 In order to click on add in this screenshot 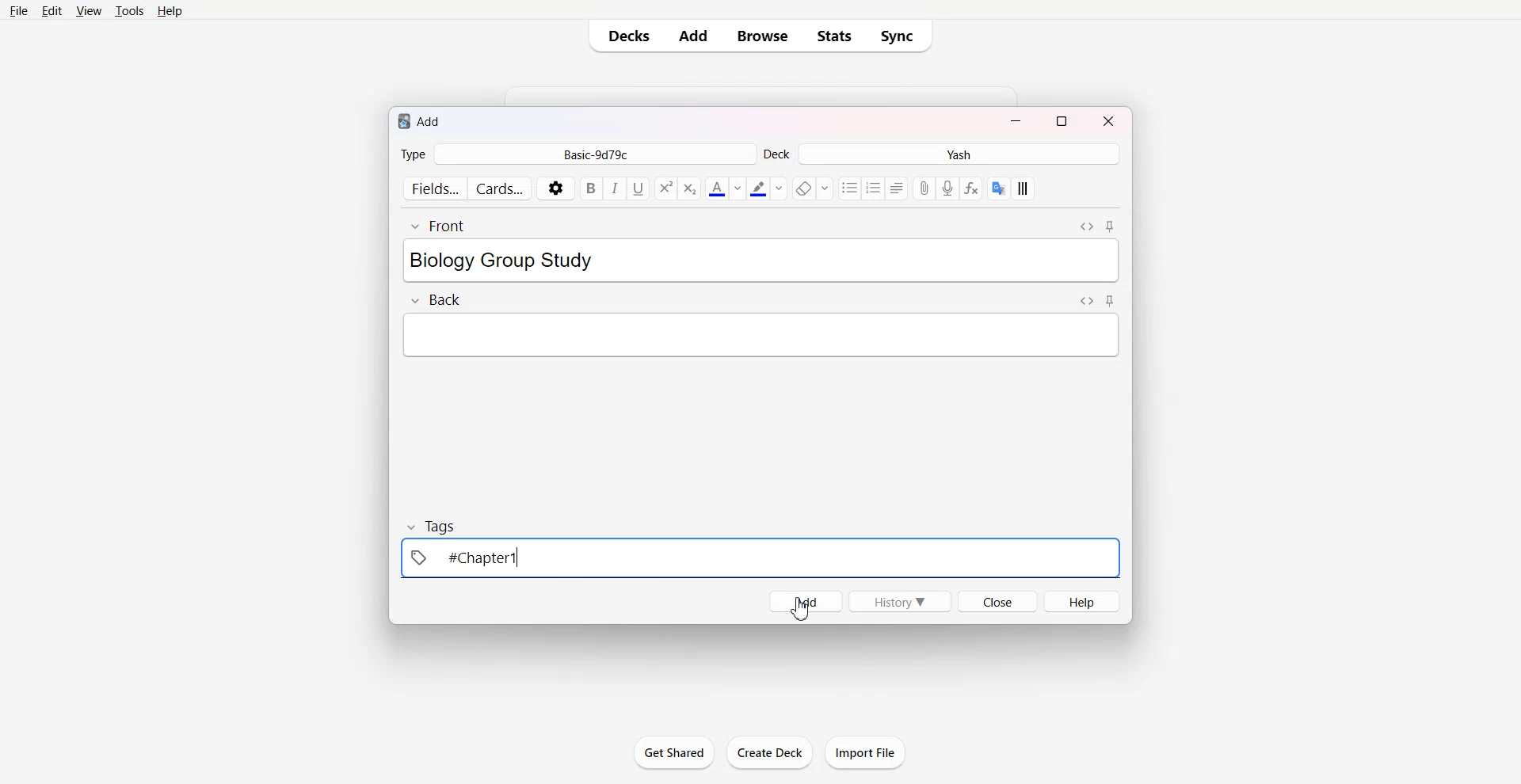, I will do `click(421, 121)`.